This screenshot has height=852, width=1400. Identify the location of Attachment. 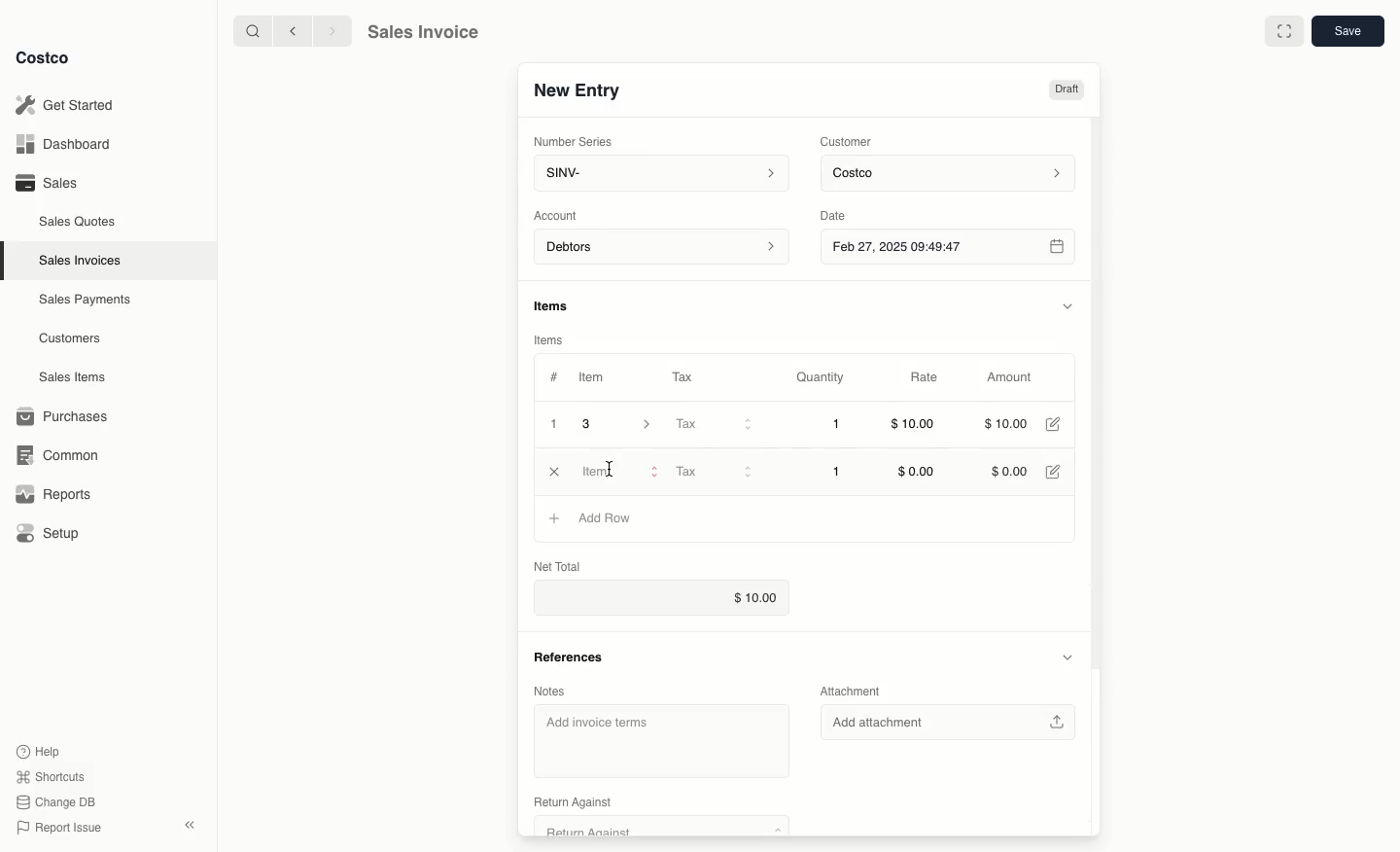
(854, 692).